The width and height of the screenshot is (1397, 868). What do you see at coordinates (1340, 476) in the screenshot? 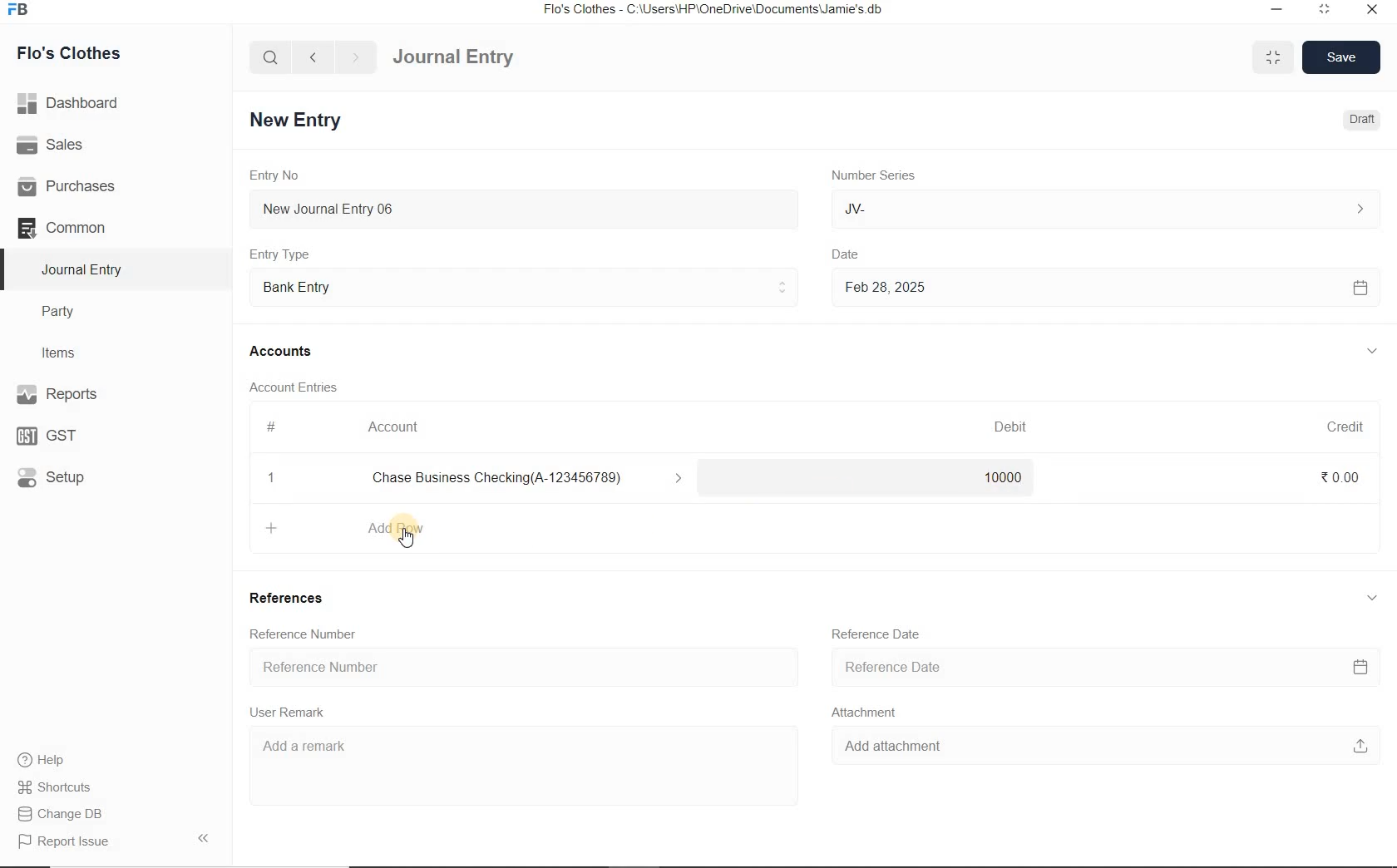
I see `₹0.00` at bounding box center [1340, 476].